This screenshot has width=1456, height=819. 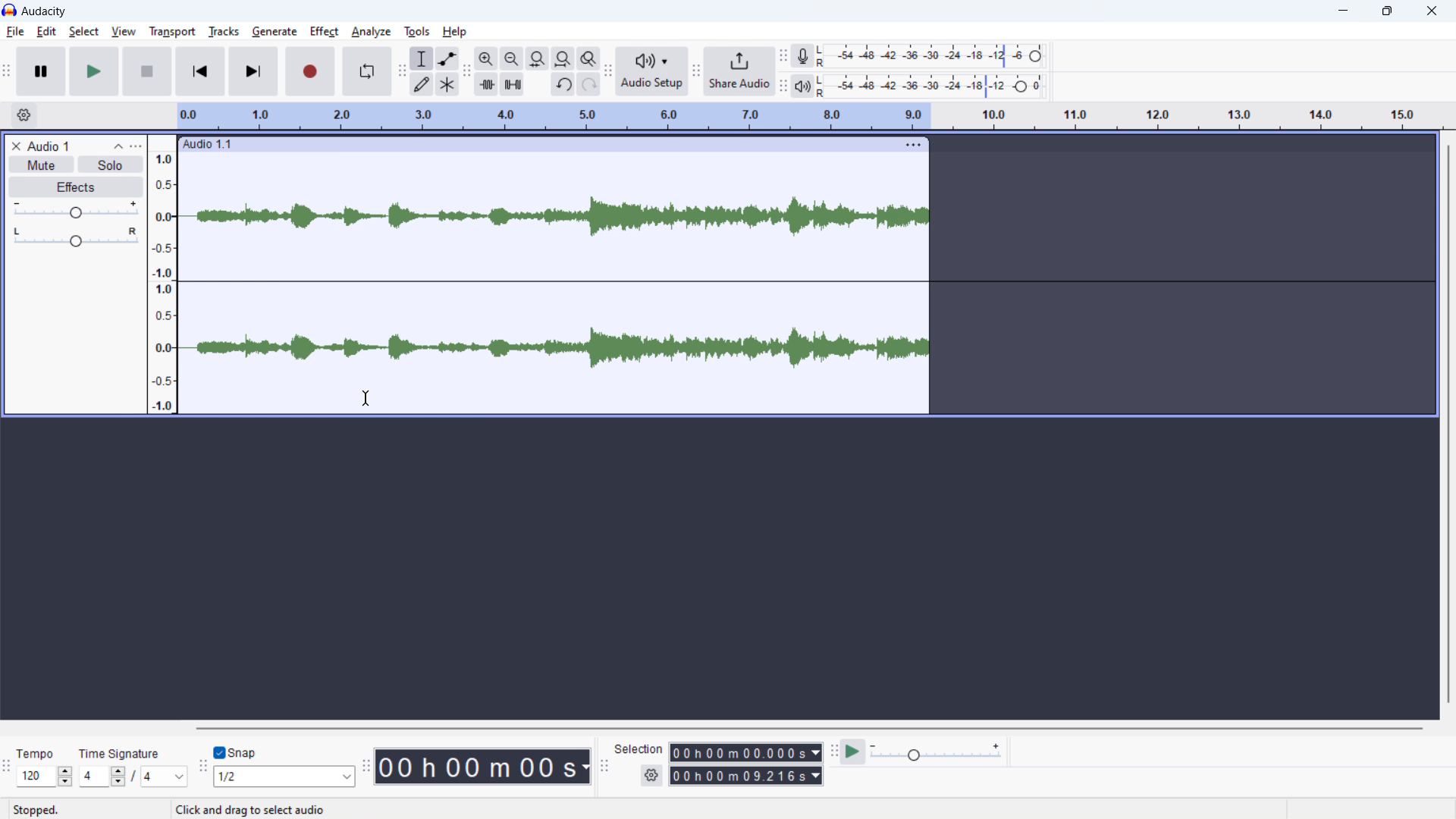 I want to click on share audio, so click(x=740, y=71).